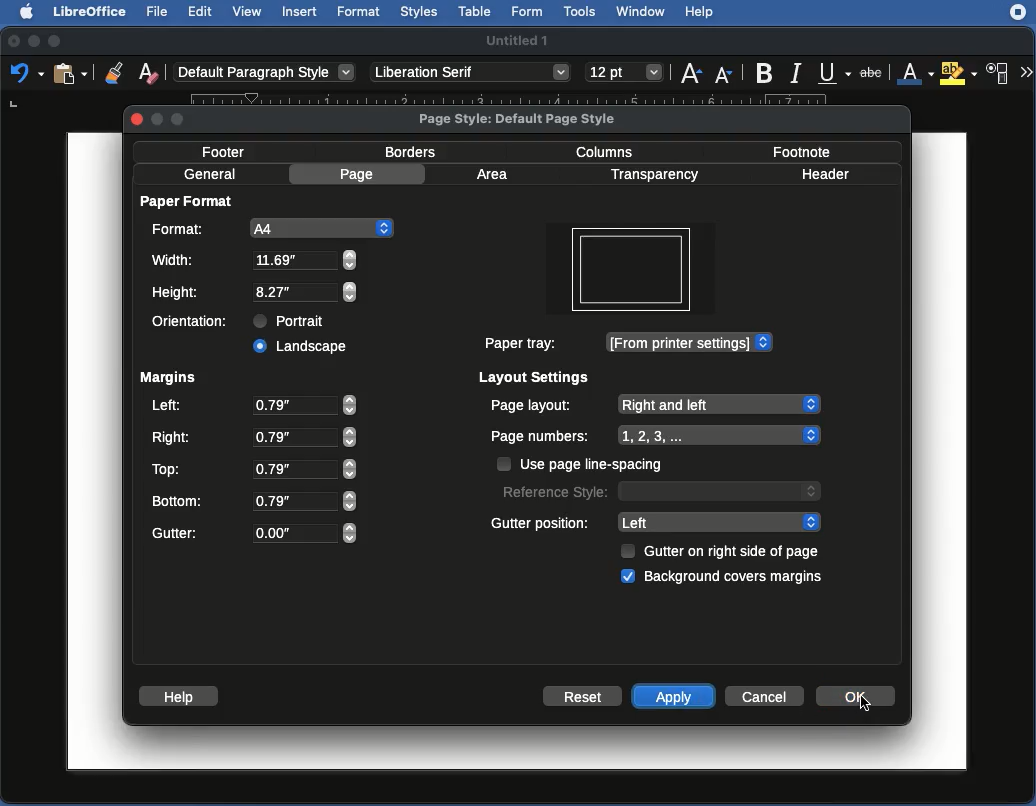 Image resolution: width=1036 pixels, height=806 pixels. I want to click on Size down, so click(725, 73).